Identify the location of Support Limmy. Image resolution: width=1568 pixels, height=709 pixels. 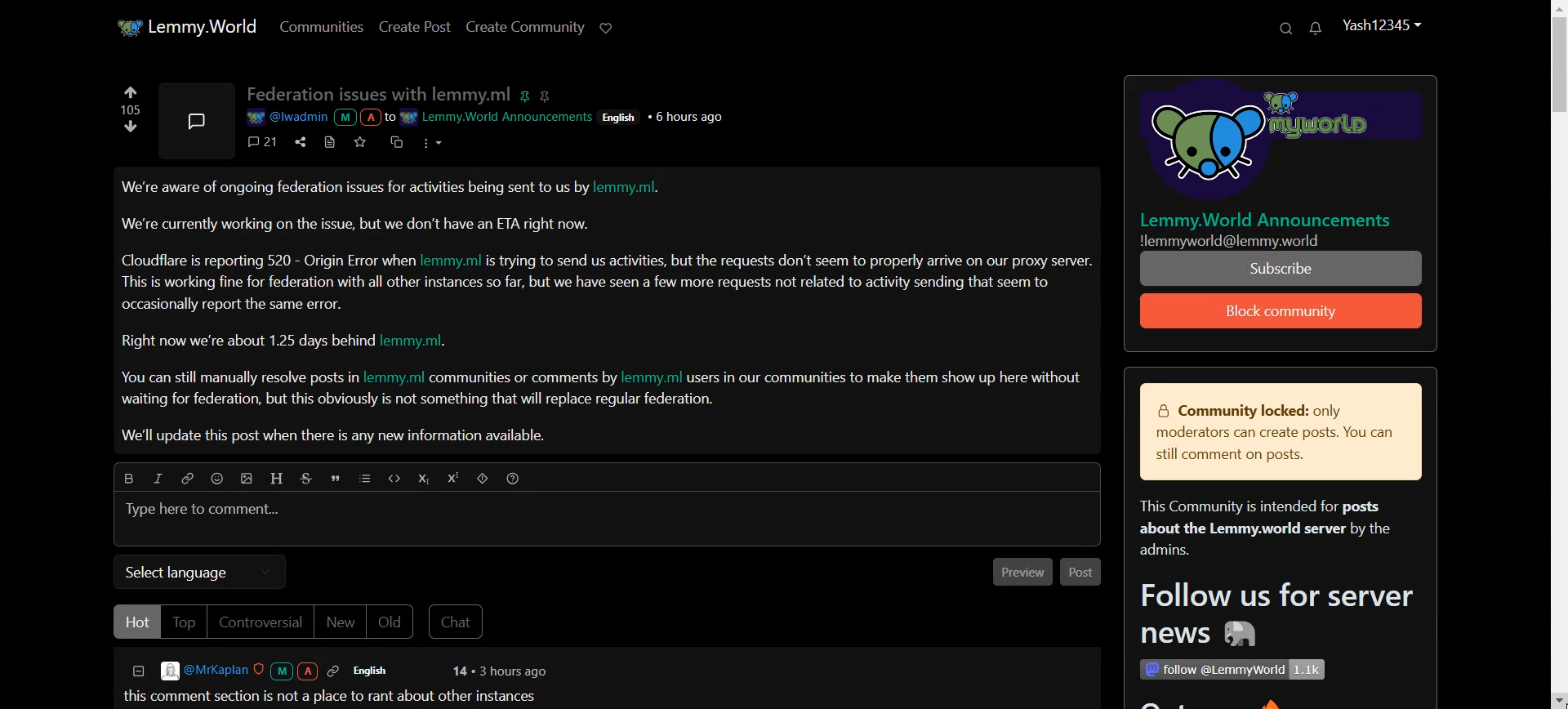
(607, 27).